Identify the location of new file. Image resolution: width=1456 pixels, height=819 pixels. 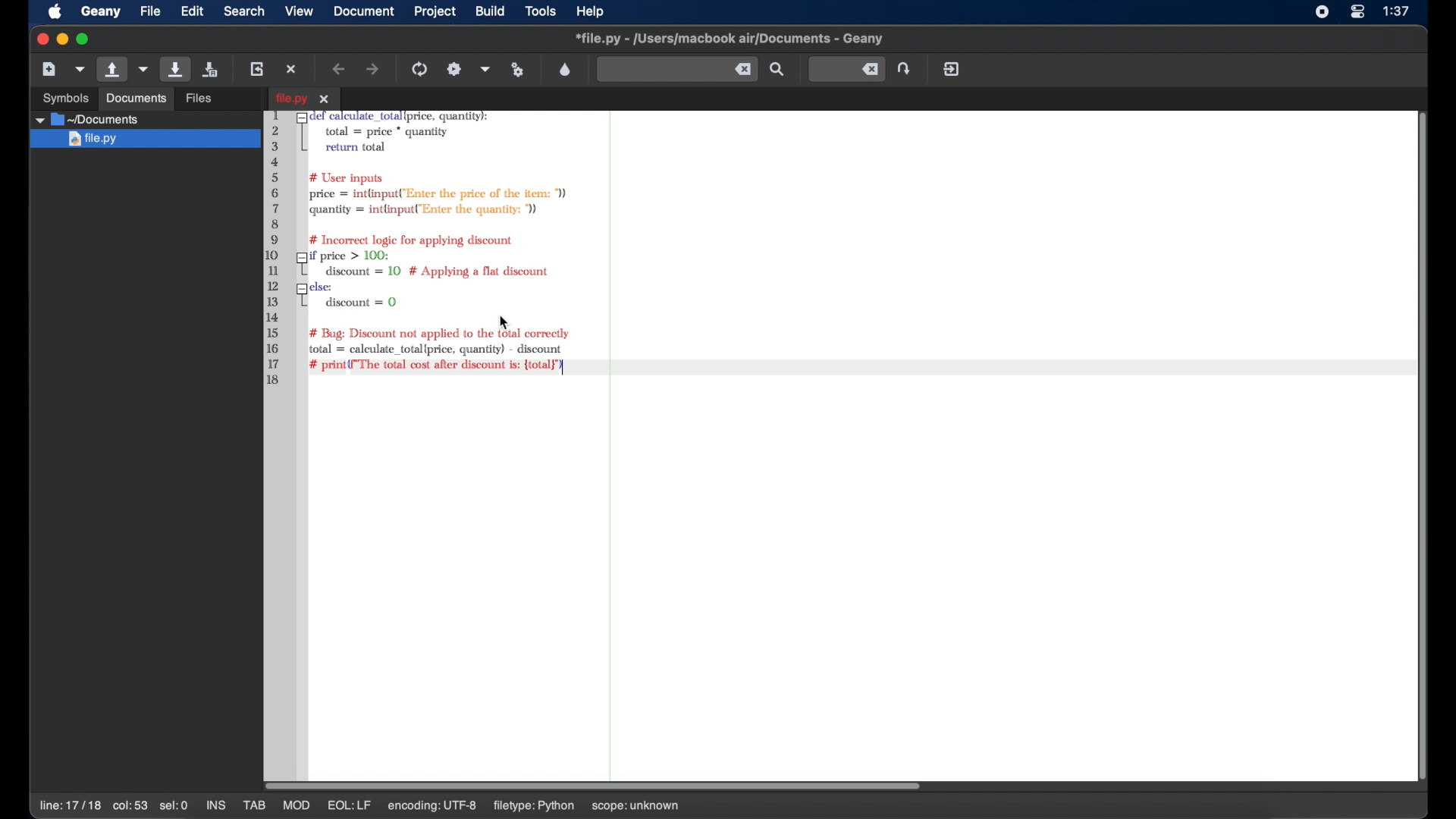
(49, 68).